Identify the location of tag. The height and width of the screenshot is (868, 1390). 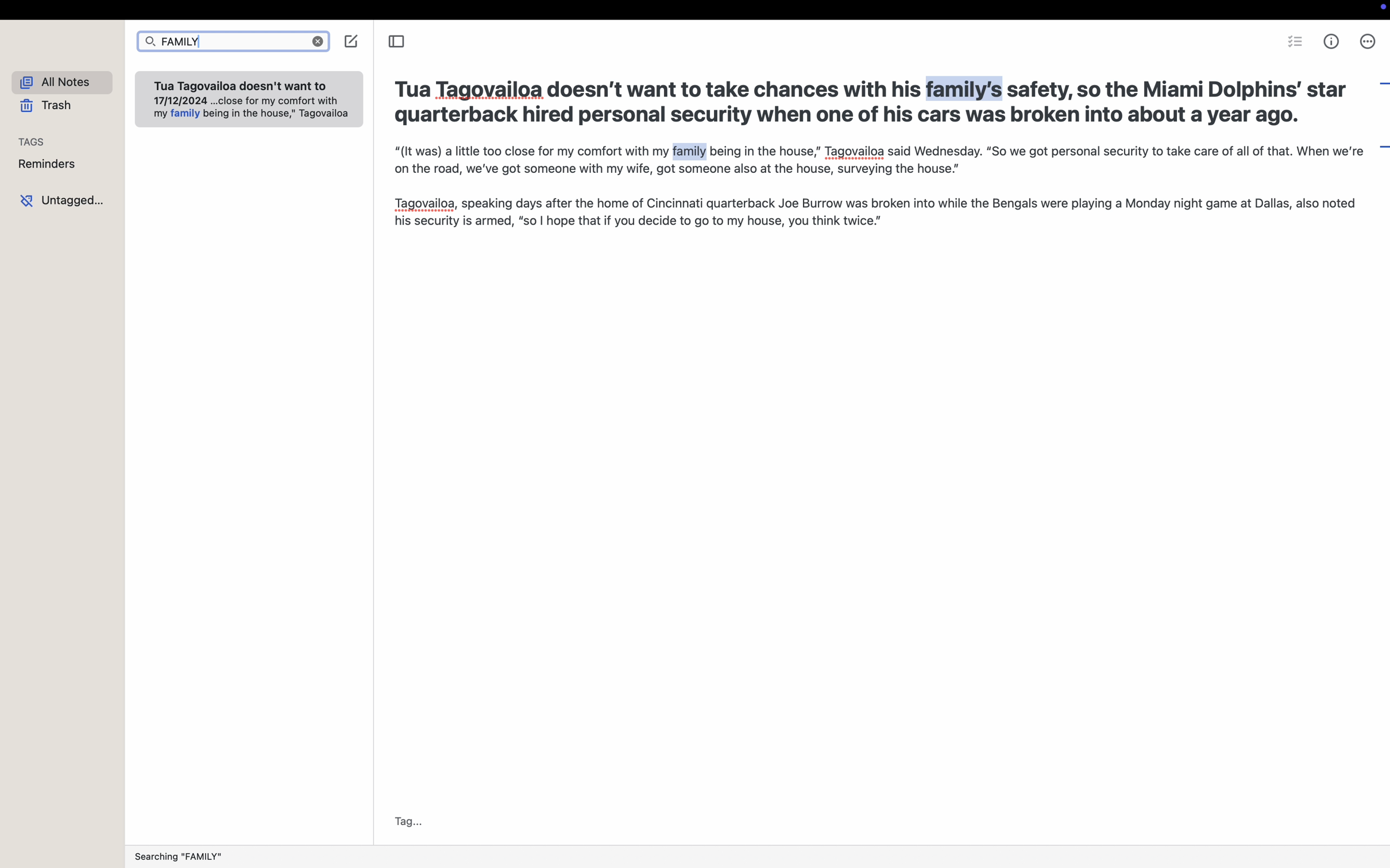
(405, 821).